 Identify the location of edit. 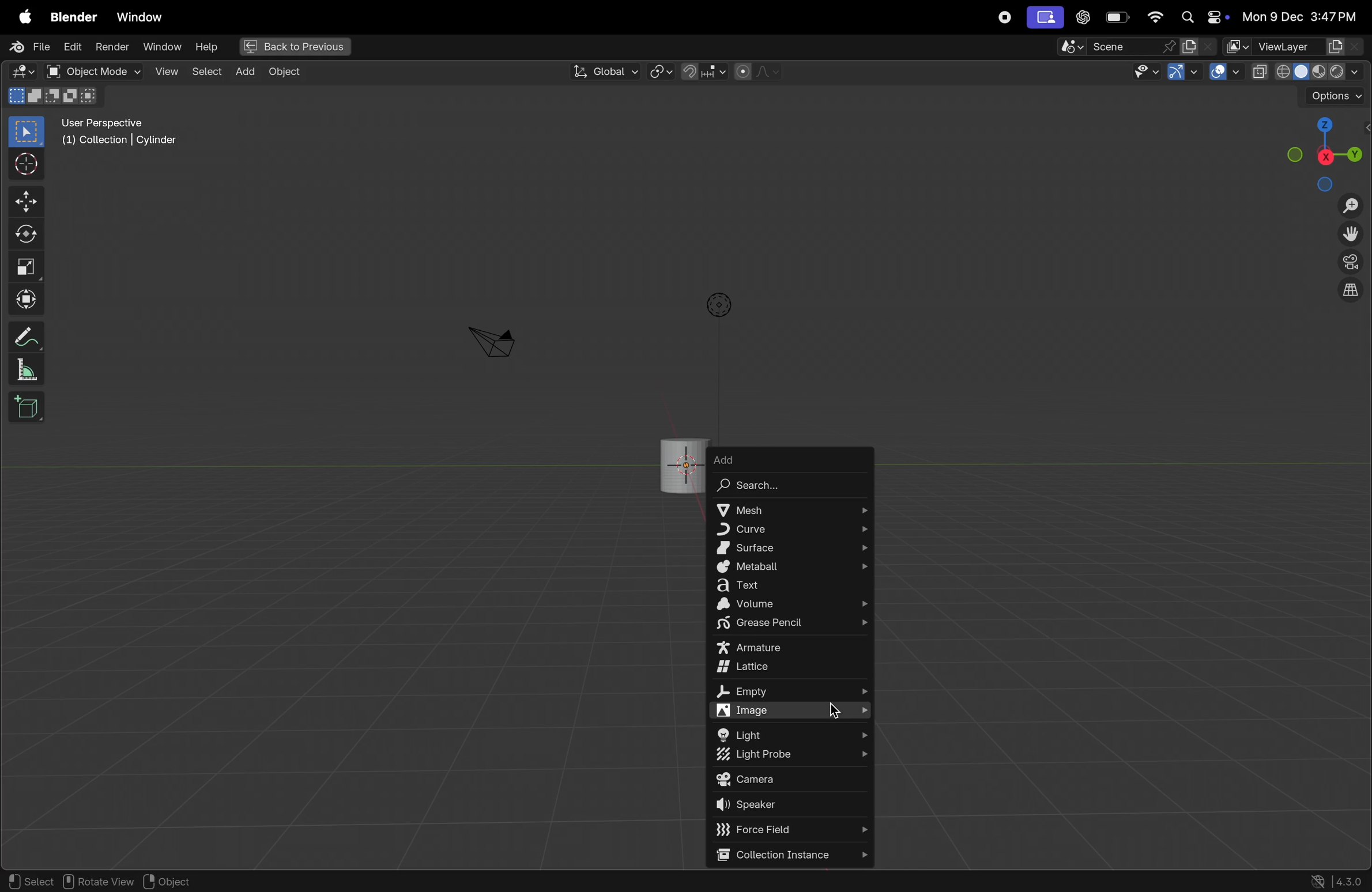
(73, 48).